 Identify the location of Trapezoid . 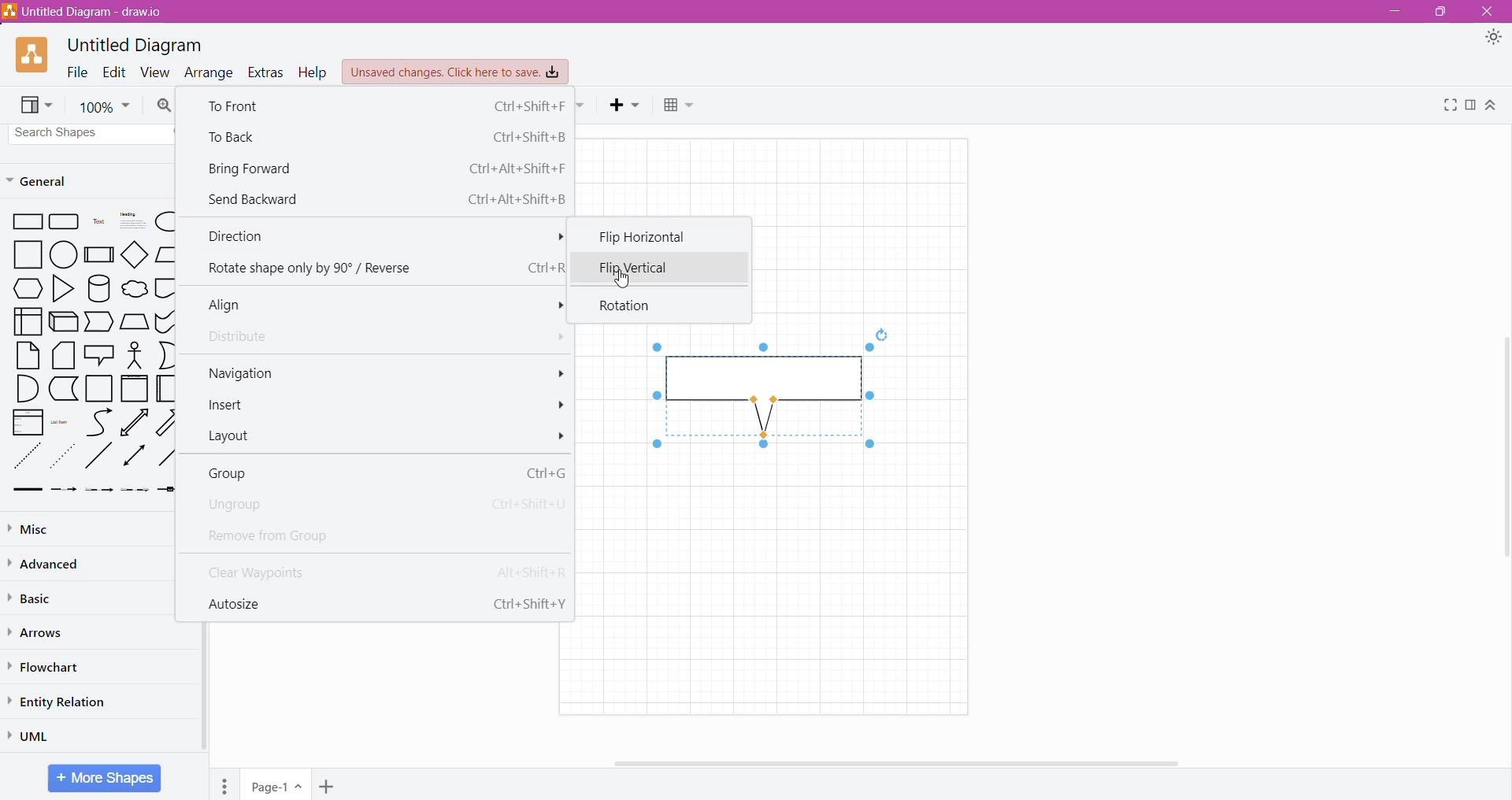
(100, 322).